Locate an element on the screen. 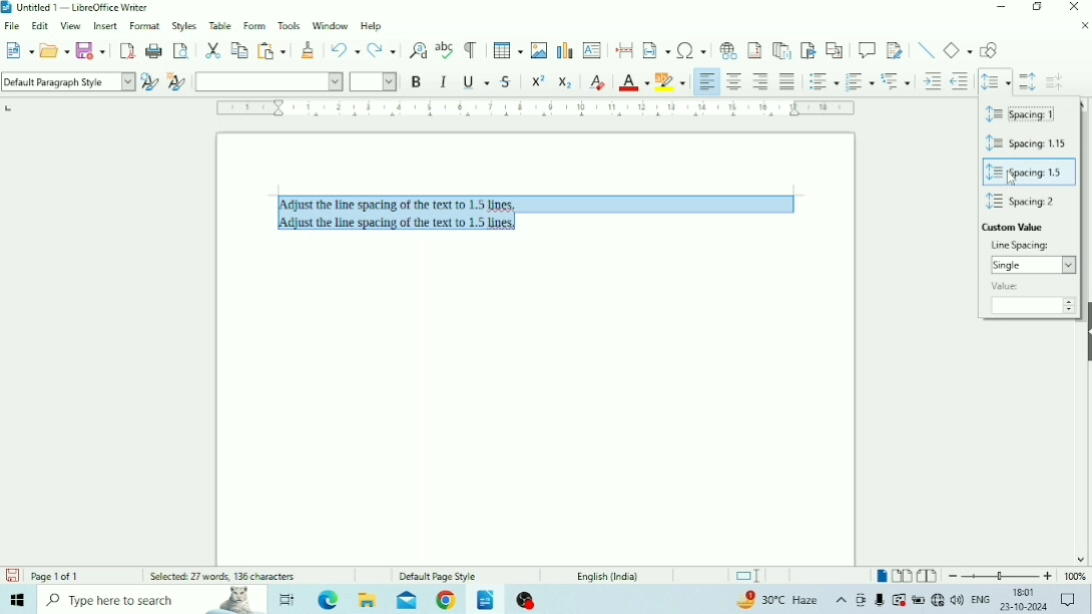 This screenshot has width=1092, height=614. Close is located at coordinates (1075, 7).